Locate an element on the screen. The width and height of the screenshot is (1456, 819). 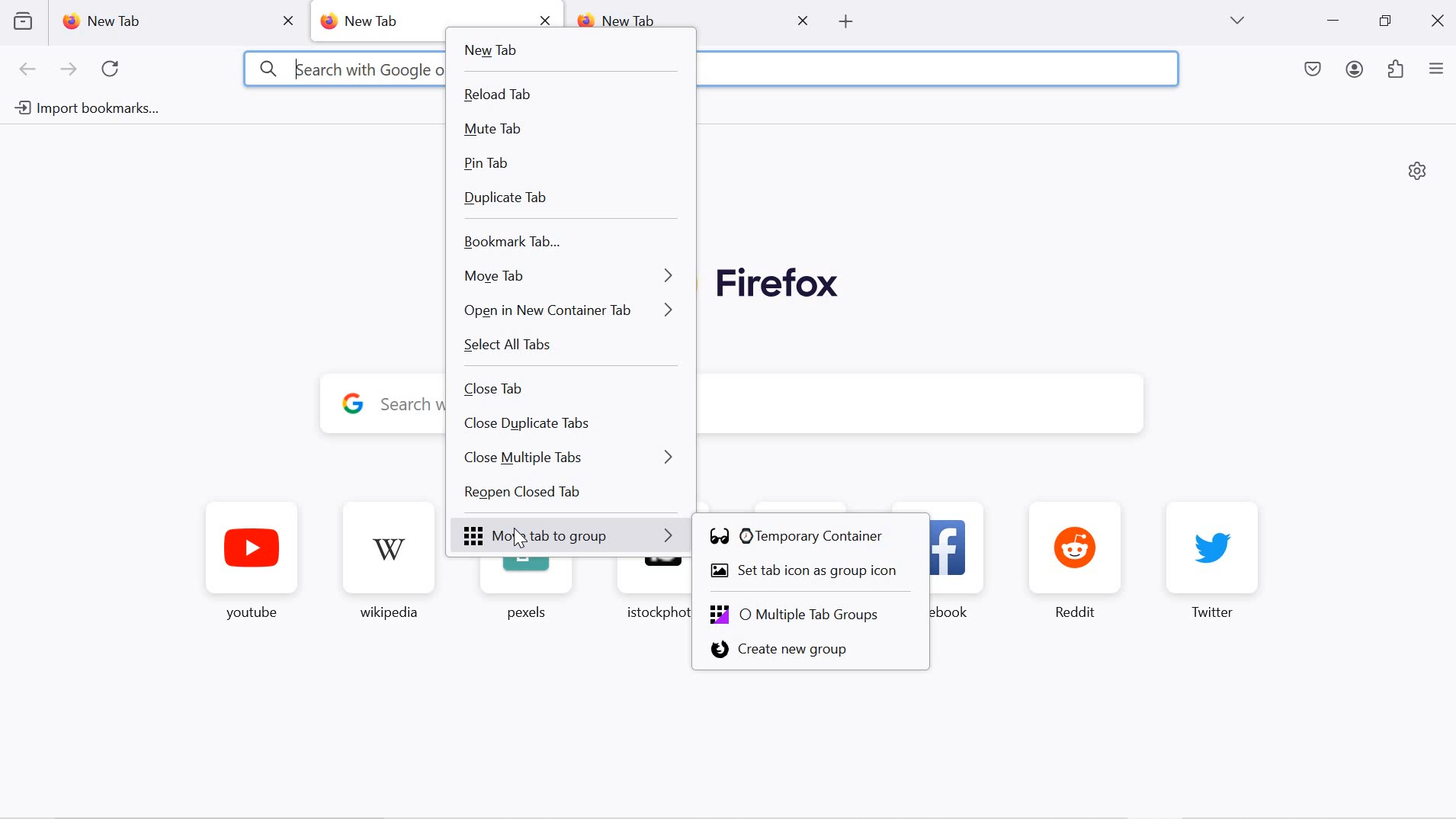
close is located at coordinates (1440, 19).